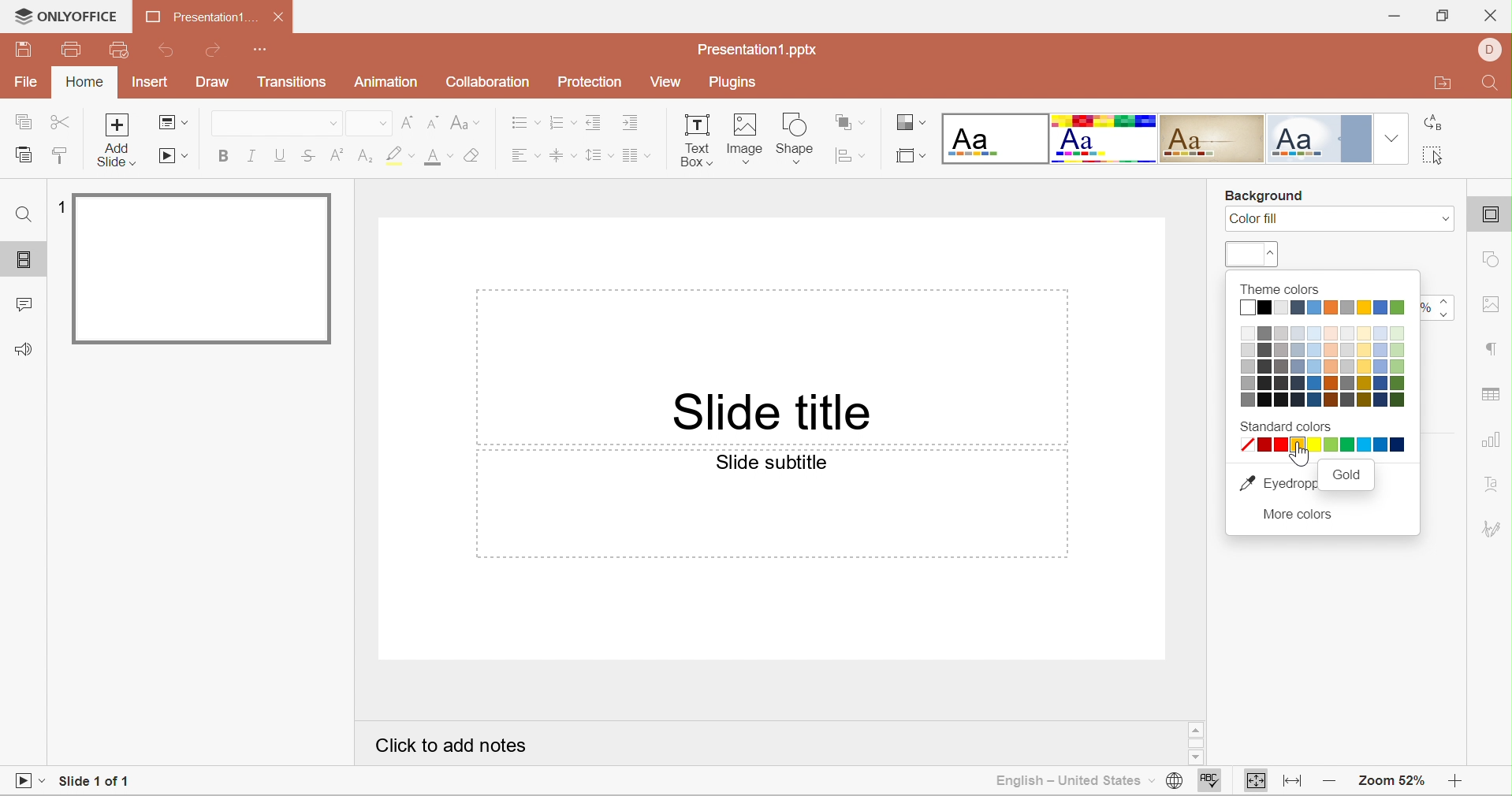 Image resolution: width=1512 pixels, height=796 pixels. What do you see at coordinates (174, 156) in the screenshot?
I see `Start Slideshow` at bounding box center [174, 156].